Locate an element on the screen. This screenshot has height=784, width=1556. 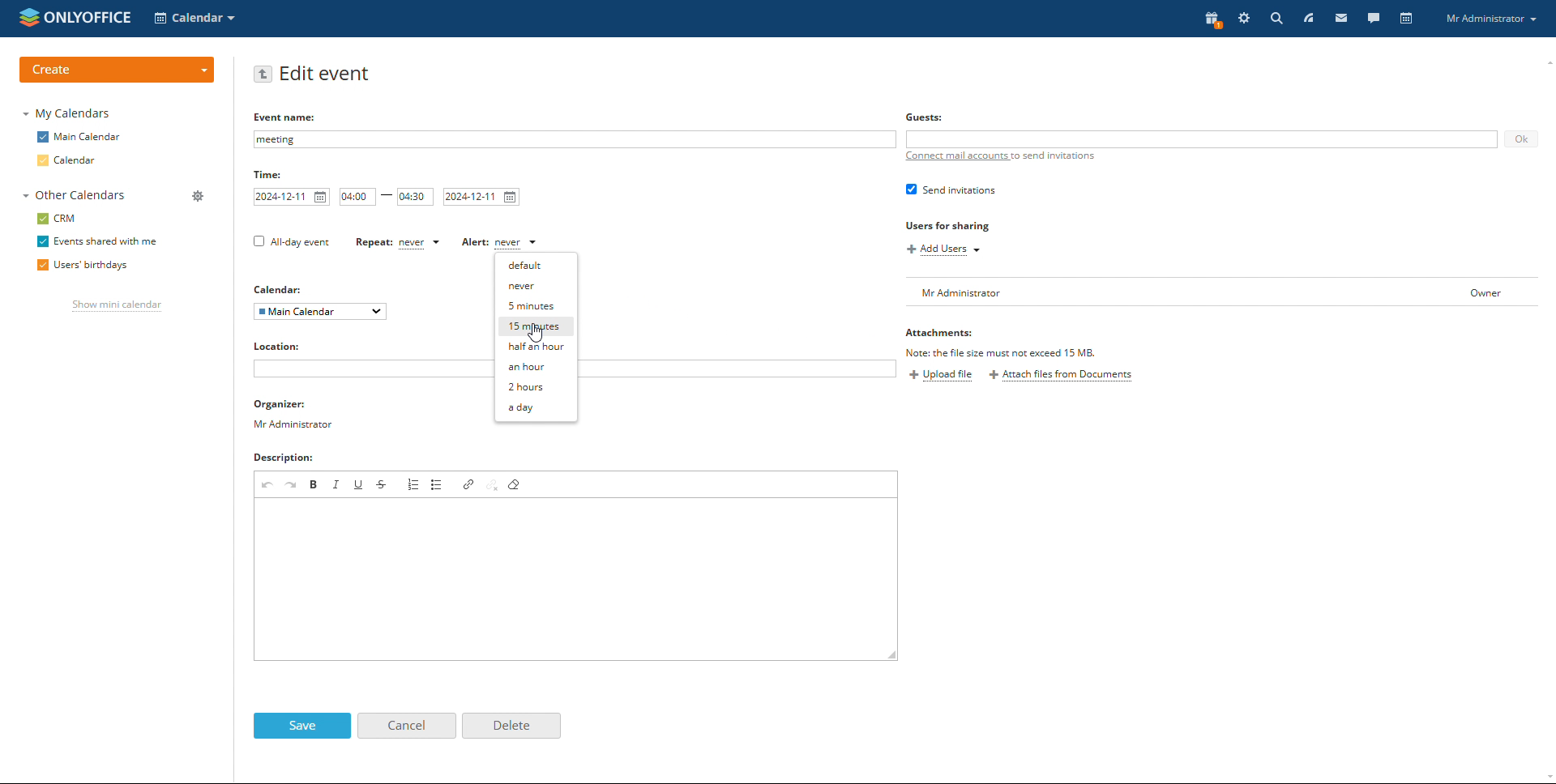
go back is located at coordinates (263, 74).